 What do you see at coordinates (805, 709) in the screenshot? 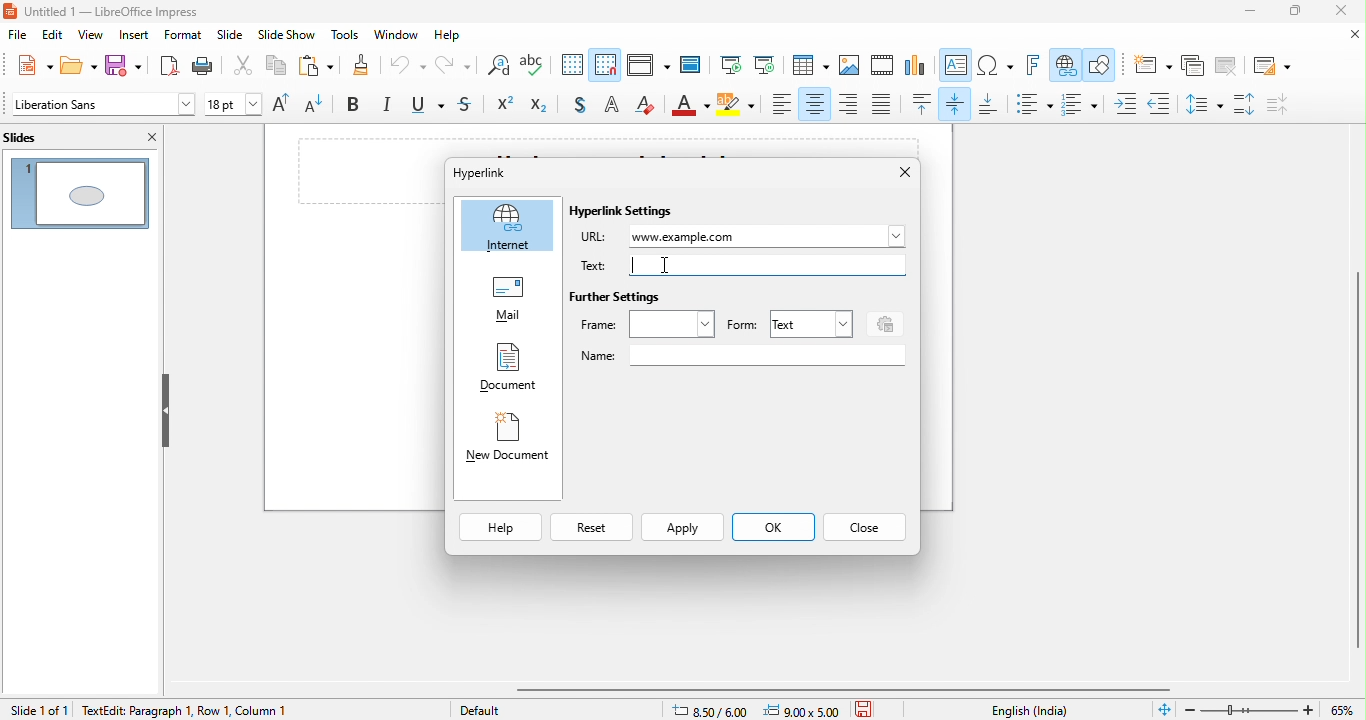
I see `9.00 x5.00` at bounding box center [805, 709].